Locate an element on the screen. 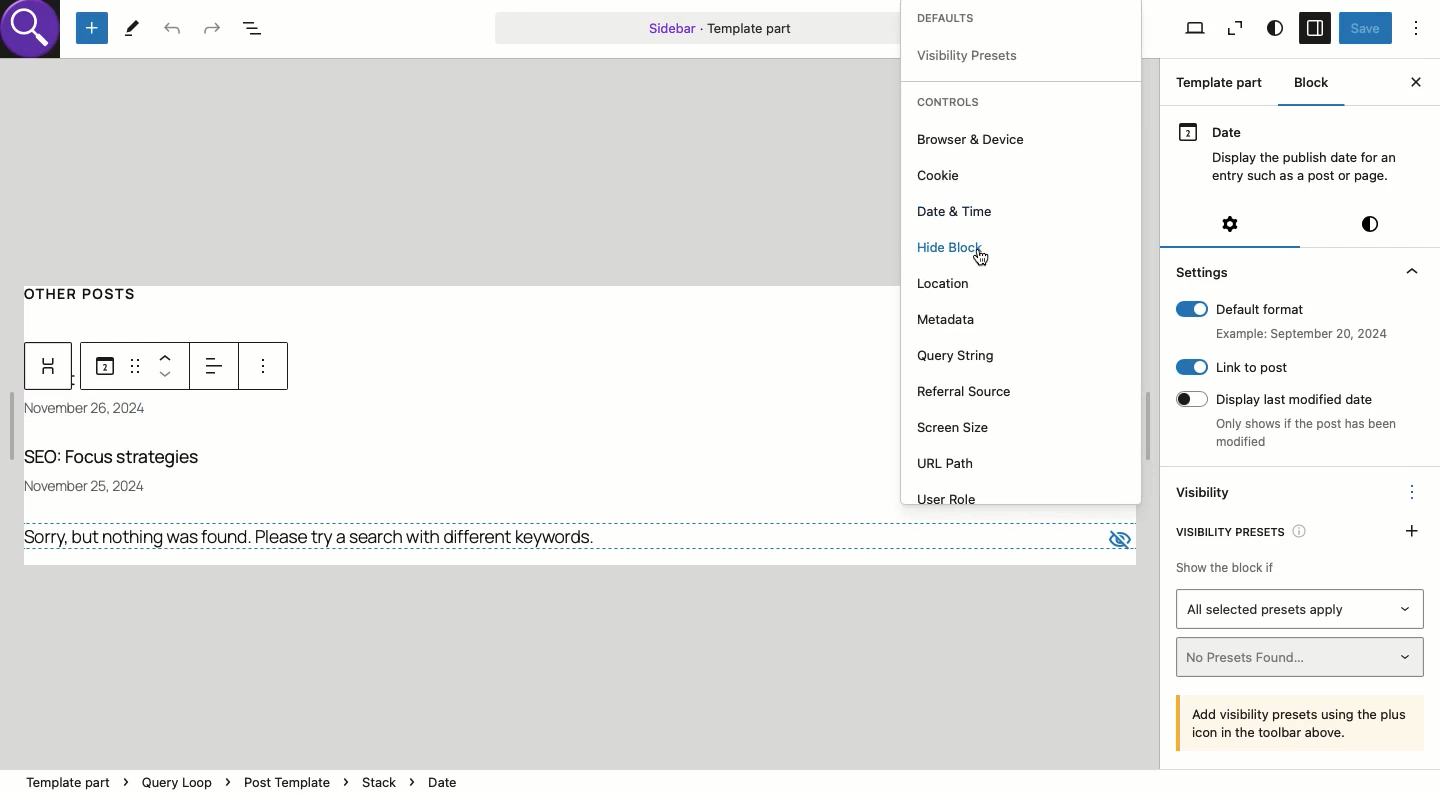 The height and width of the screenshot is (794, 1440). Location is located at coordinates (947, 282).